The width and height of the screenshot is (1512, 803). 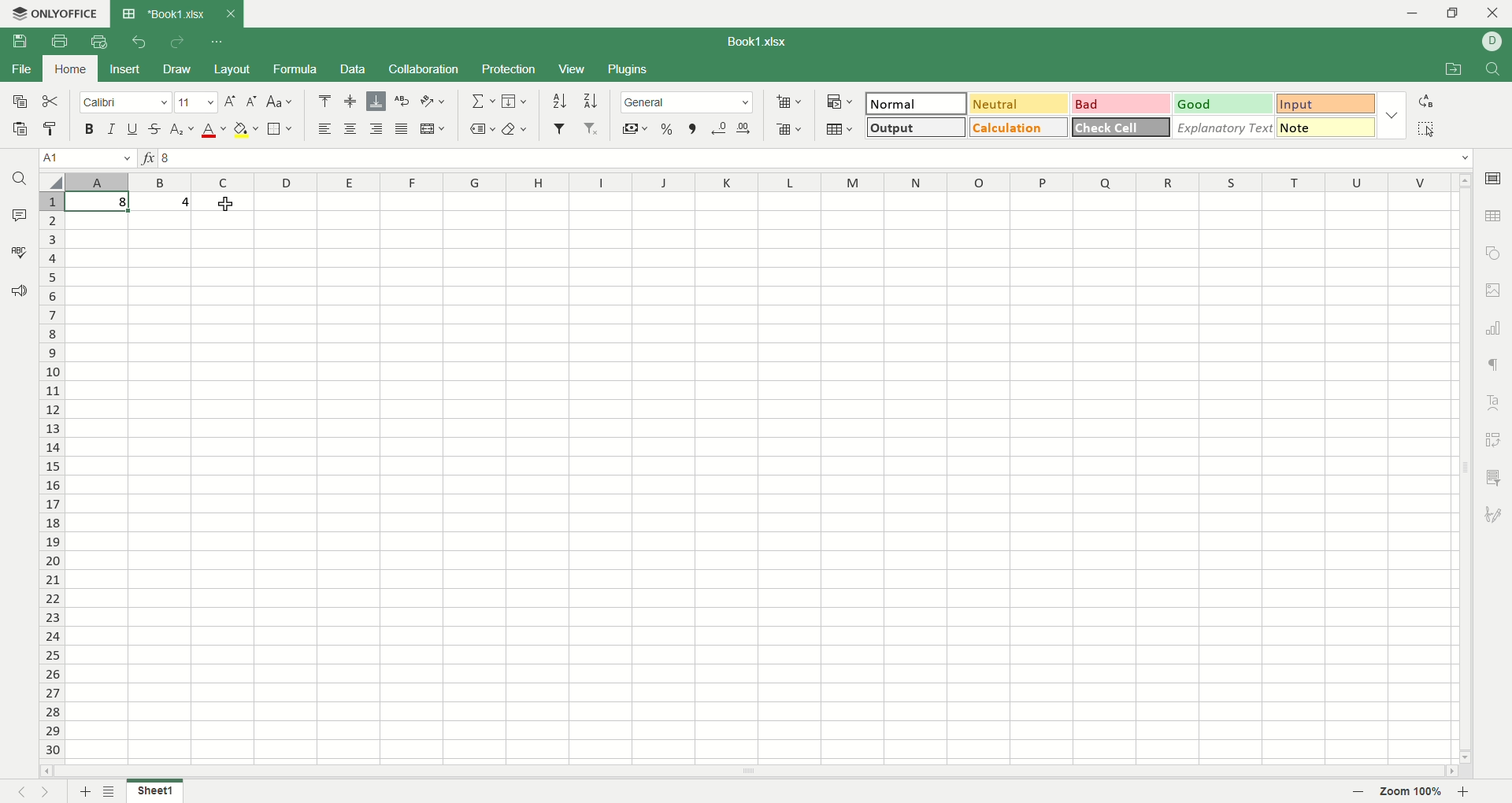 I want to click on onlyoffice, so click(x=53, y=13).